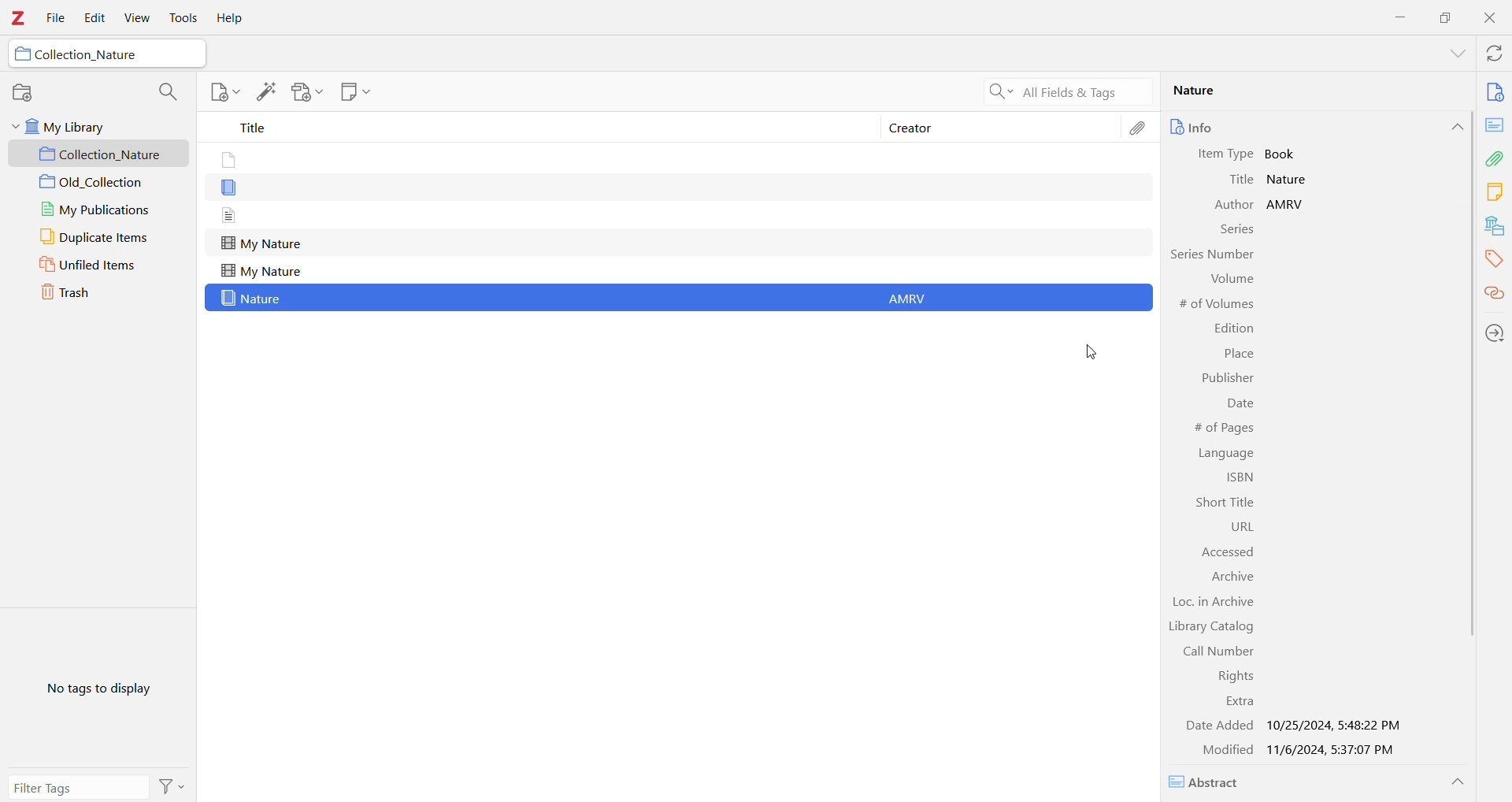 The width and height of the screenshot is (1512, 802). Describe the element at coordinates (261, 272) in the screenshot. I see `My Nature` at that location.